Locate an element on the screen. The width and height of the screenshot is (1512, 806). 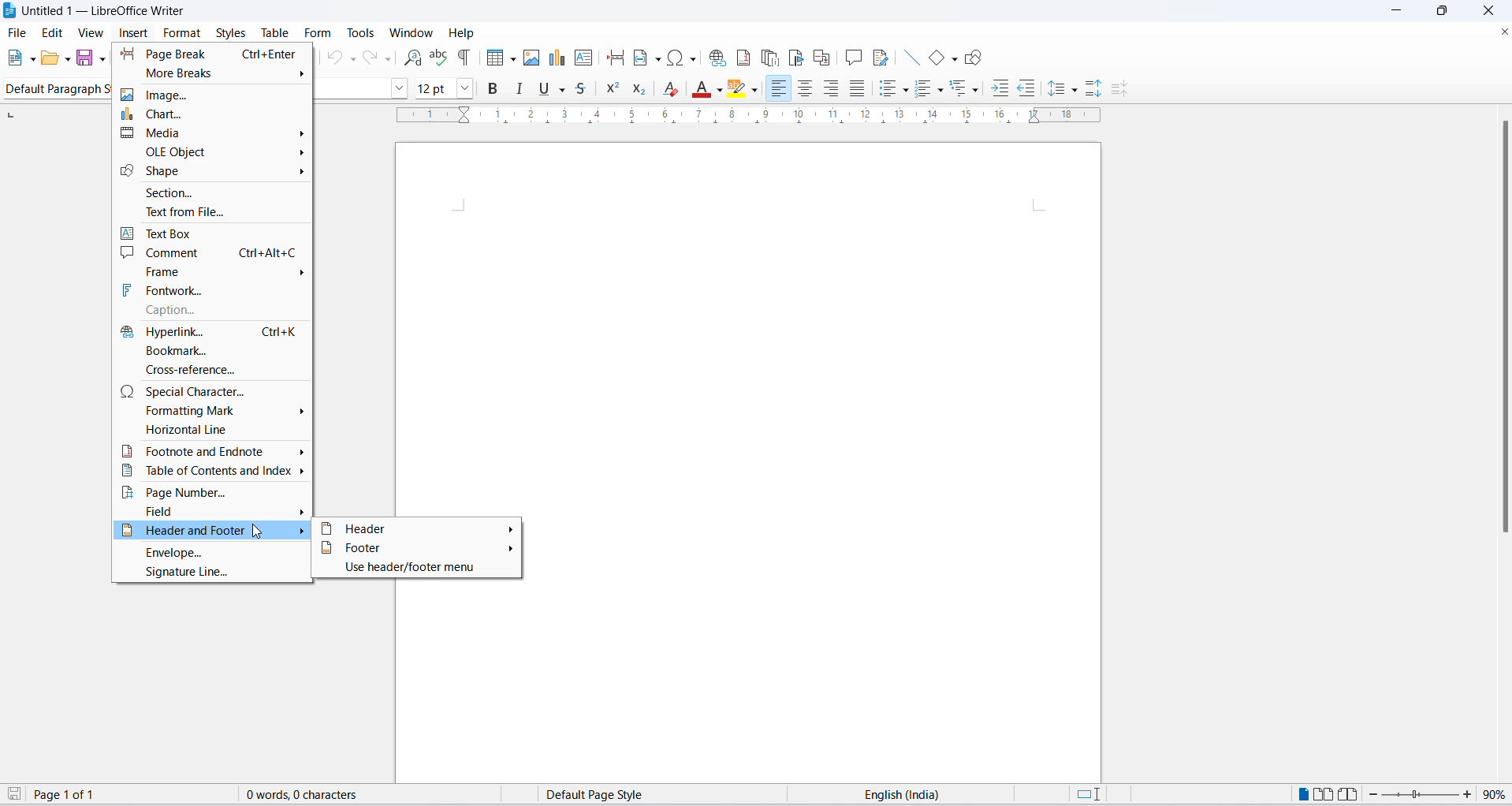
format is located at coordinates (183, 32).